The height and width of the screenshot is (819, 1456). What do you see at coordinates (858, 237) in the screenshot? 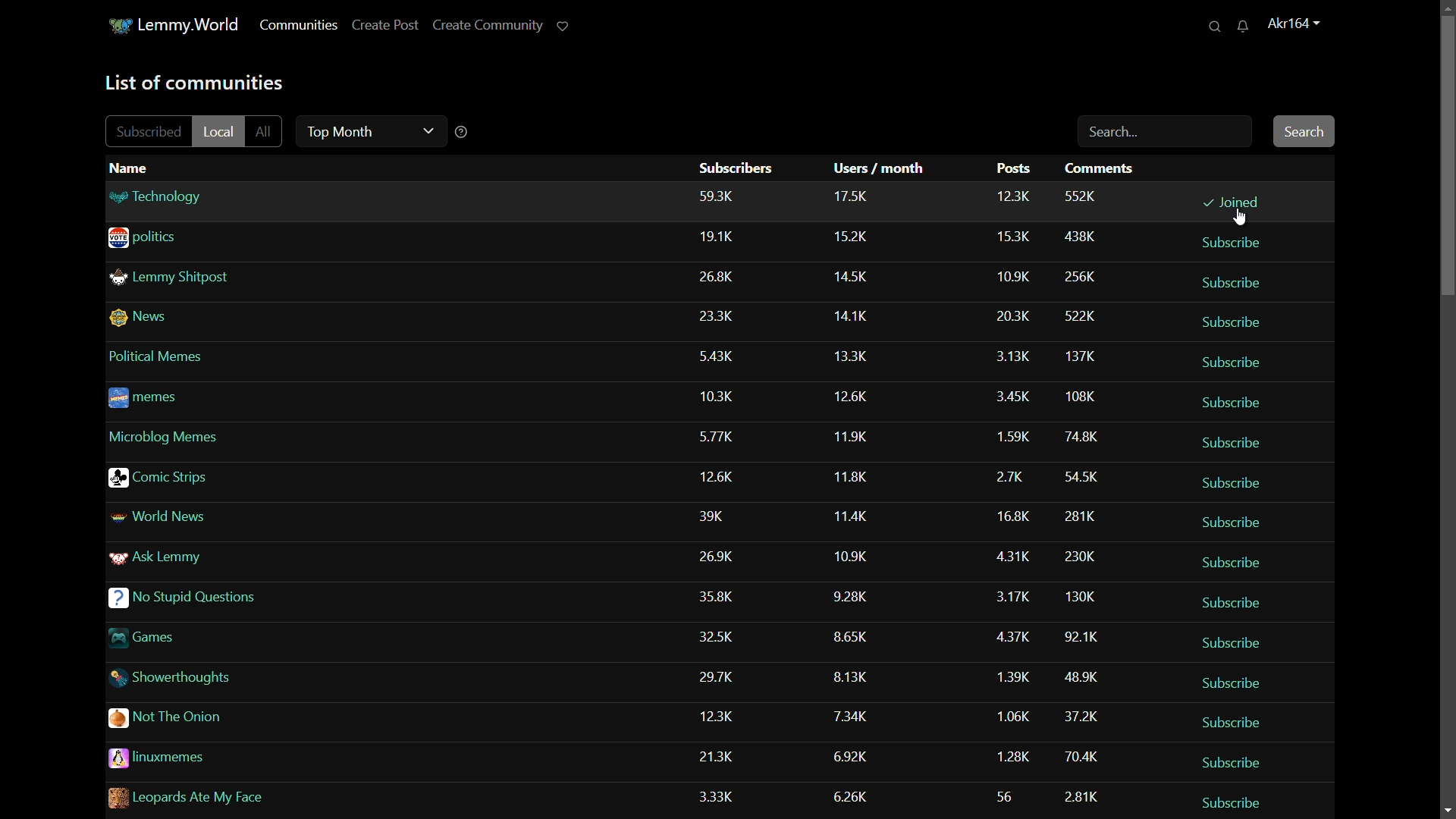
I see `user per month` at bounding box center [858, 237].